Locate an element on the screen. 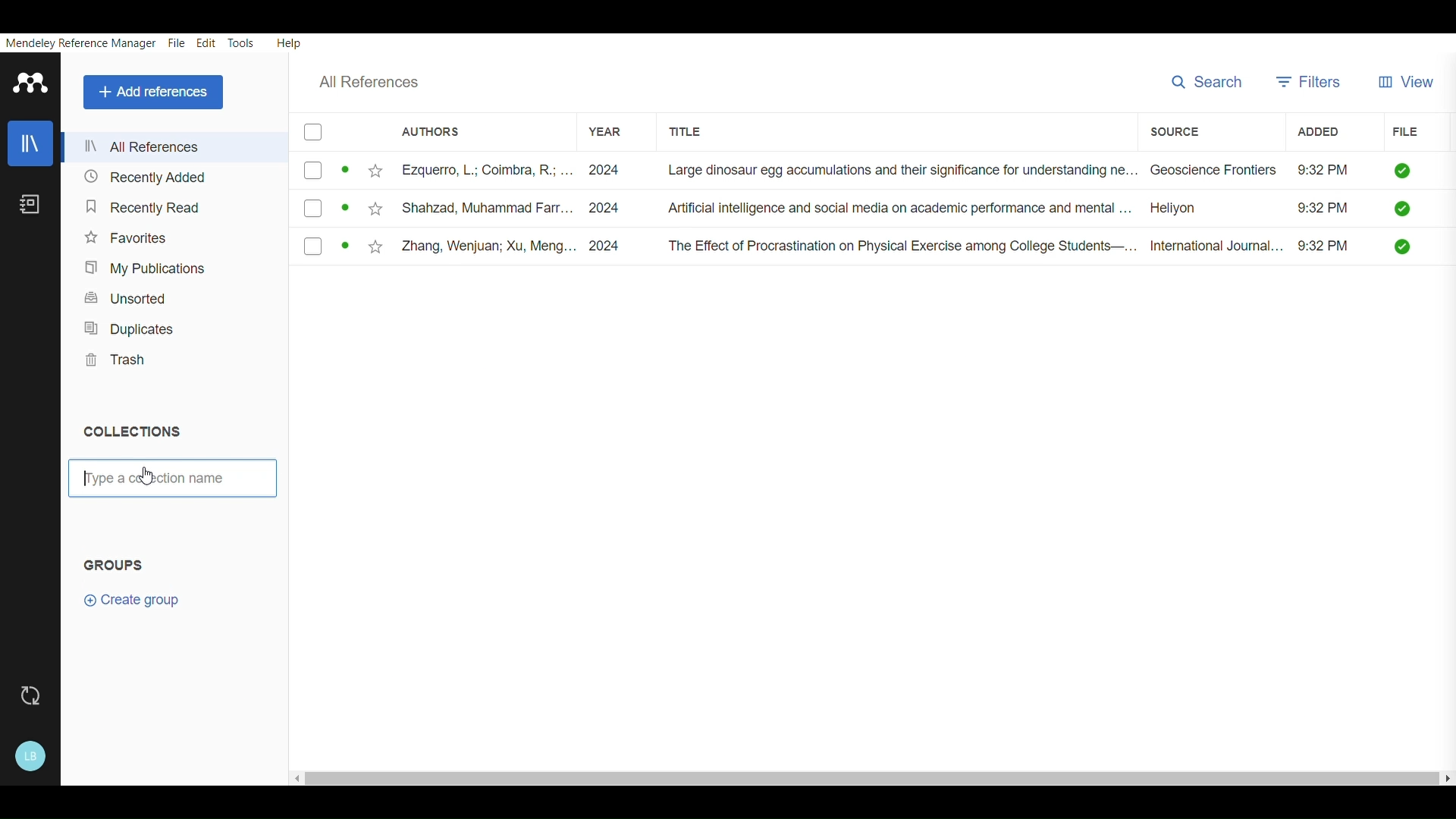  Scrollbar is located at coordinates (869, 774).